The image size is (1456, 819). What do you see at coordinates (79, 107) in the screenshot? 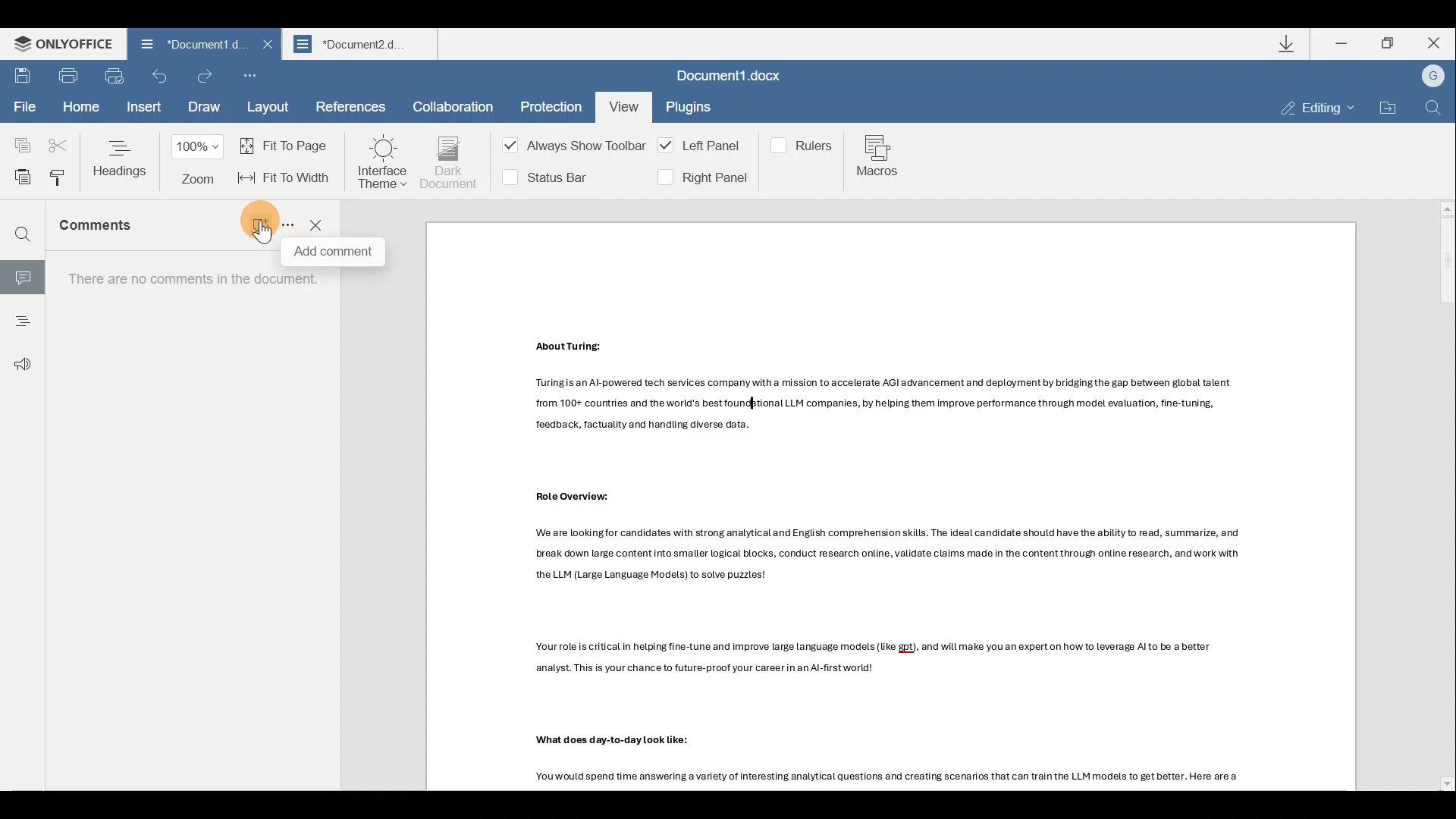
I see `Home` at bounding box center [79, 107].